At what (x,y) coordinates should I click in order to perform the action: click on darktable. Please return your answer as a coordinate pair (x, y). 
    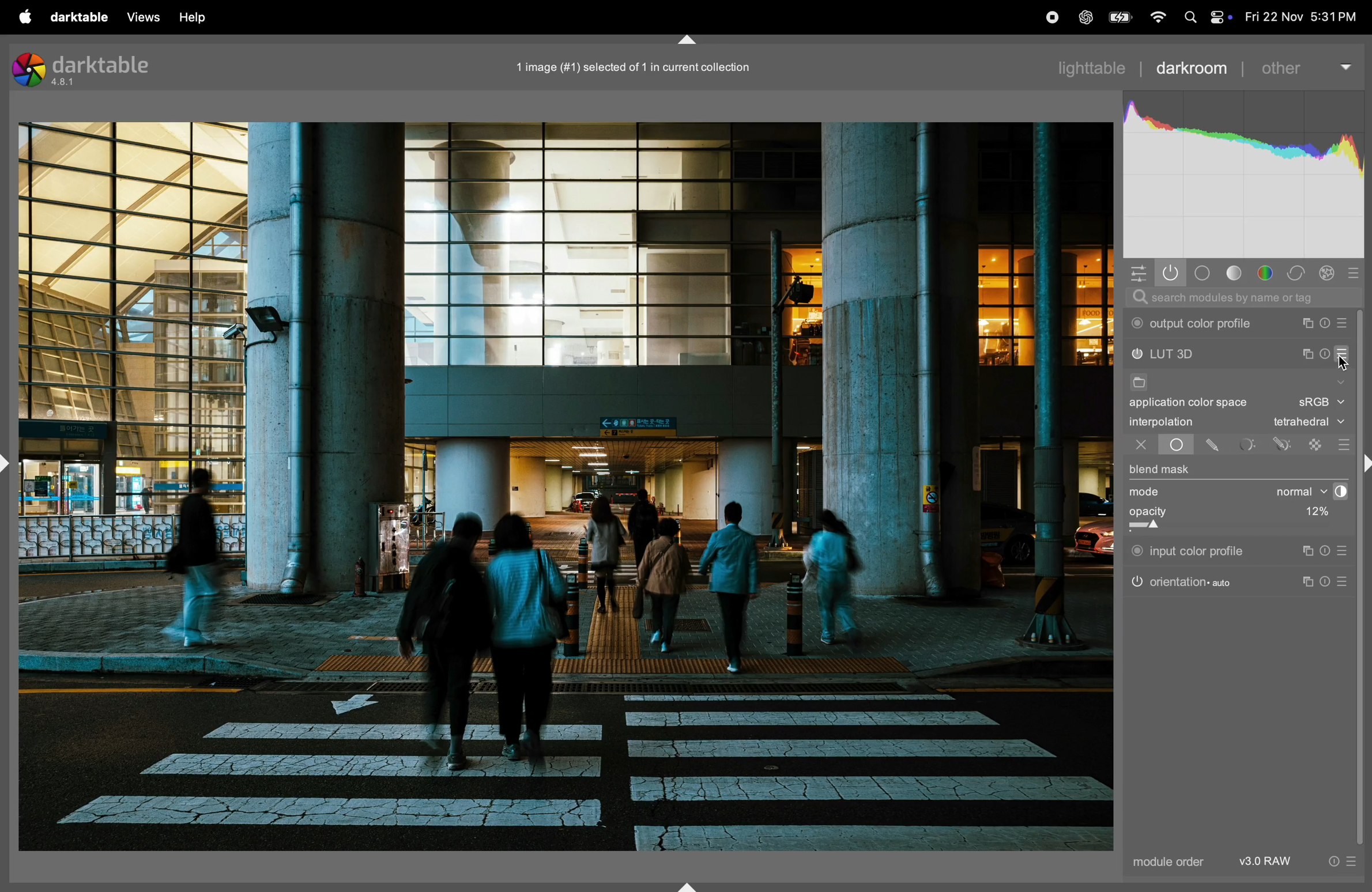
    Looking at the image, I should click on (75, 16).